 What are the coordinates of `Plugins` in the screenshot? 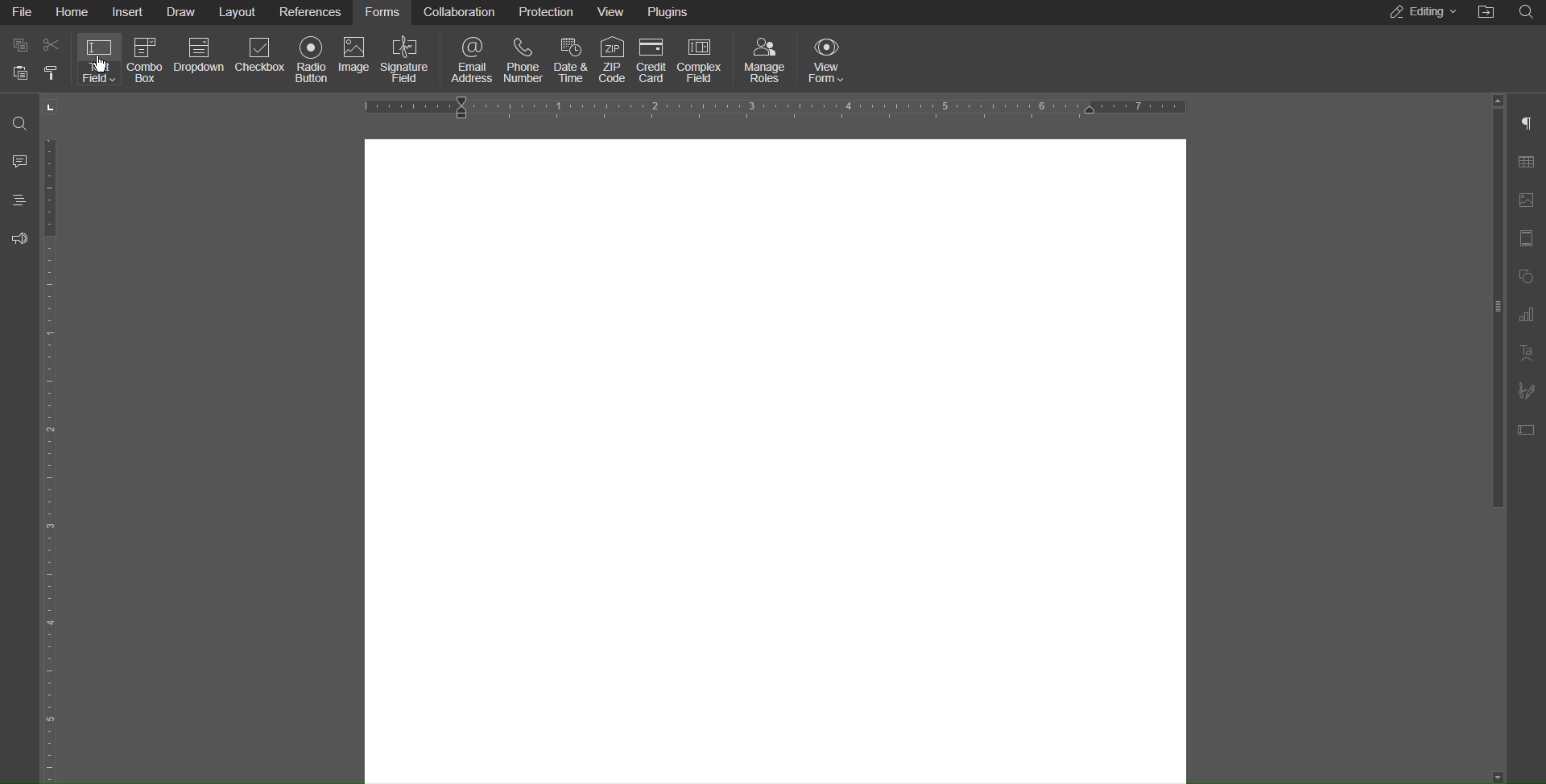 It's located at (671, 10).